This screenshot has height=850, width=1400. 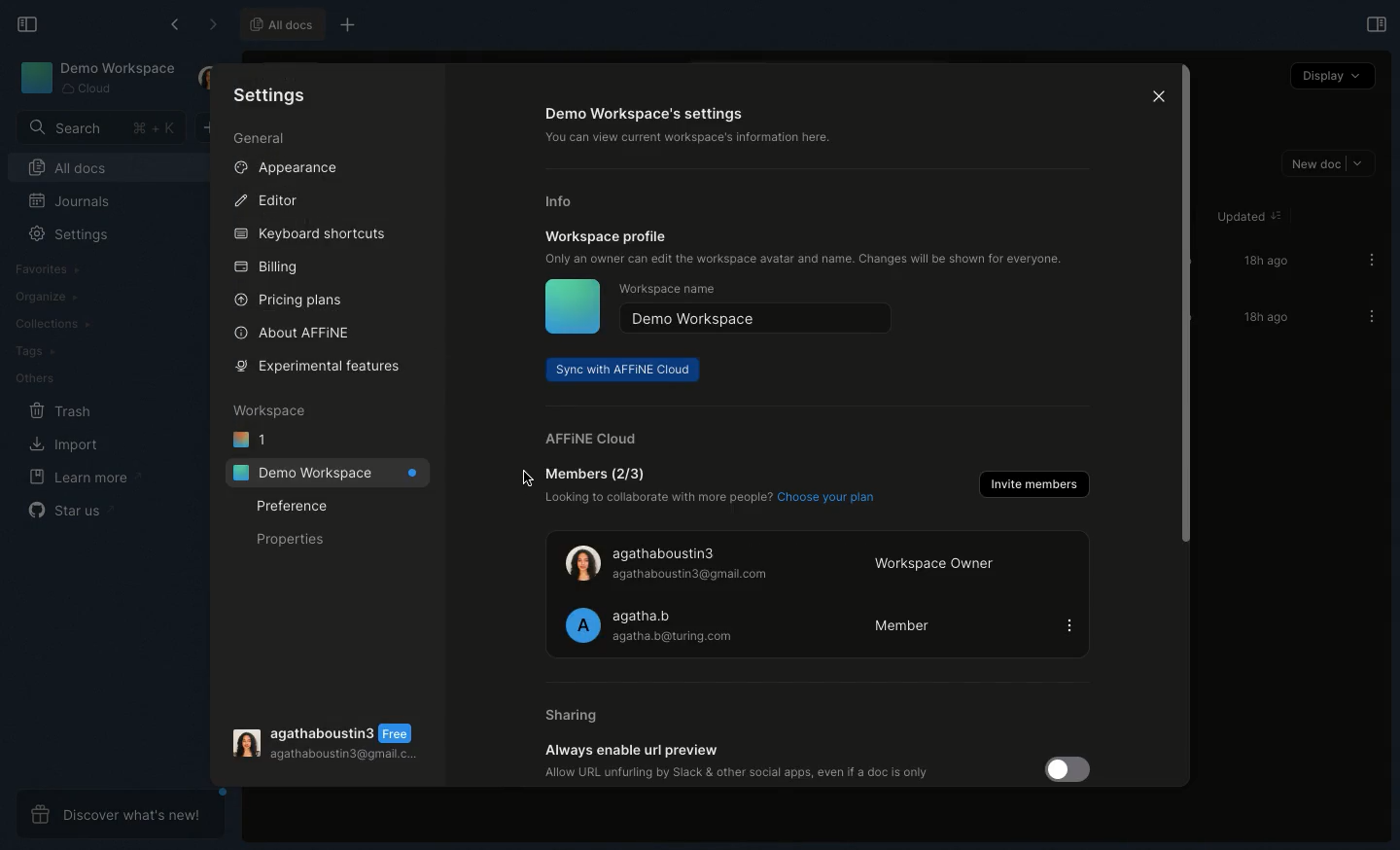 I want to click on Demo workspace, so click(x=323, y=473).